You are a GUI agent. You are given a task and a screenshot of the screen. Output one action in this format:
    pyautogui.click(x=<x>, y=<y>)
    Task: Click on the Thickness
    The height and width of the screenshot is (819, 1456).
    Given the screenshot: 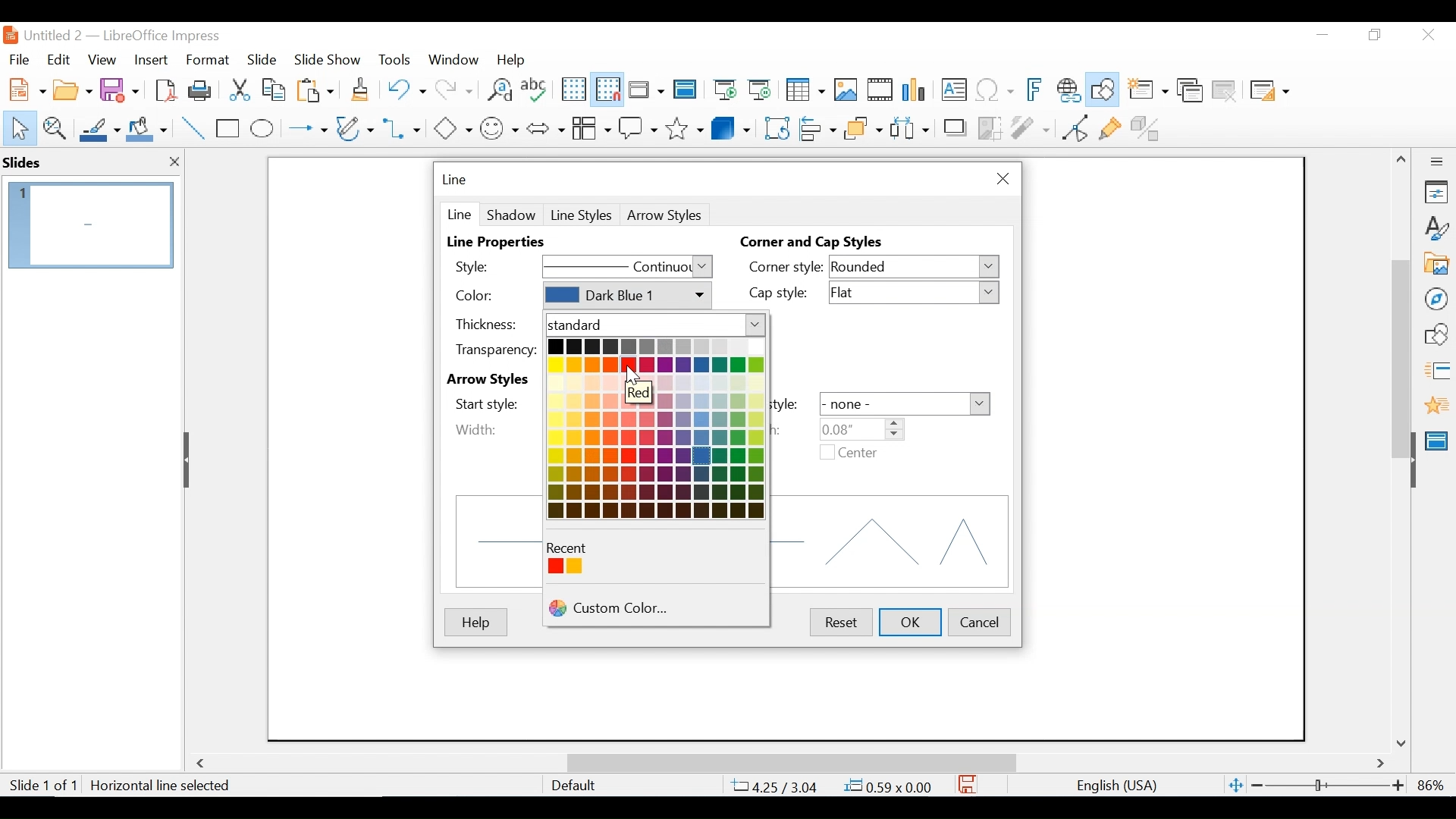 What is the action you would take?
    pyautogui.click(x=494, y=323)
    